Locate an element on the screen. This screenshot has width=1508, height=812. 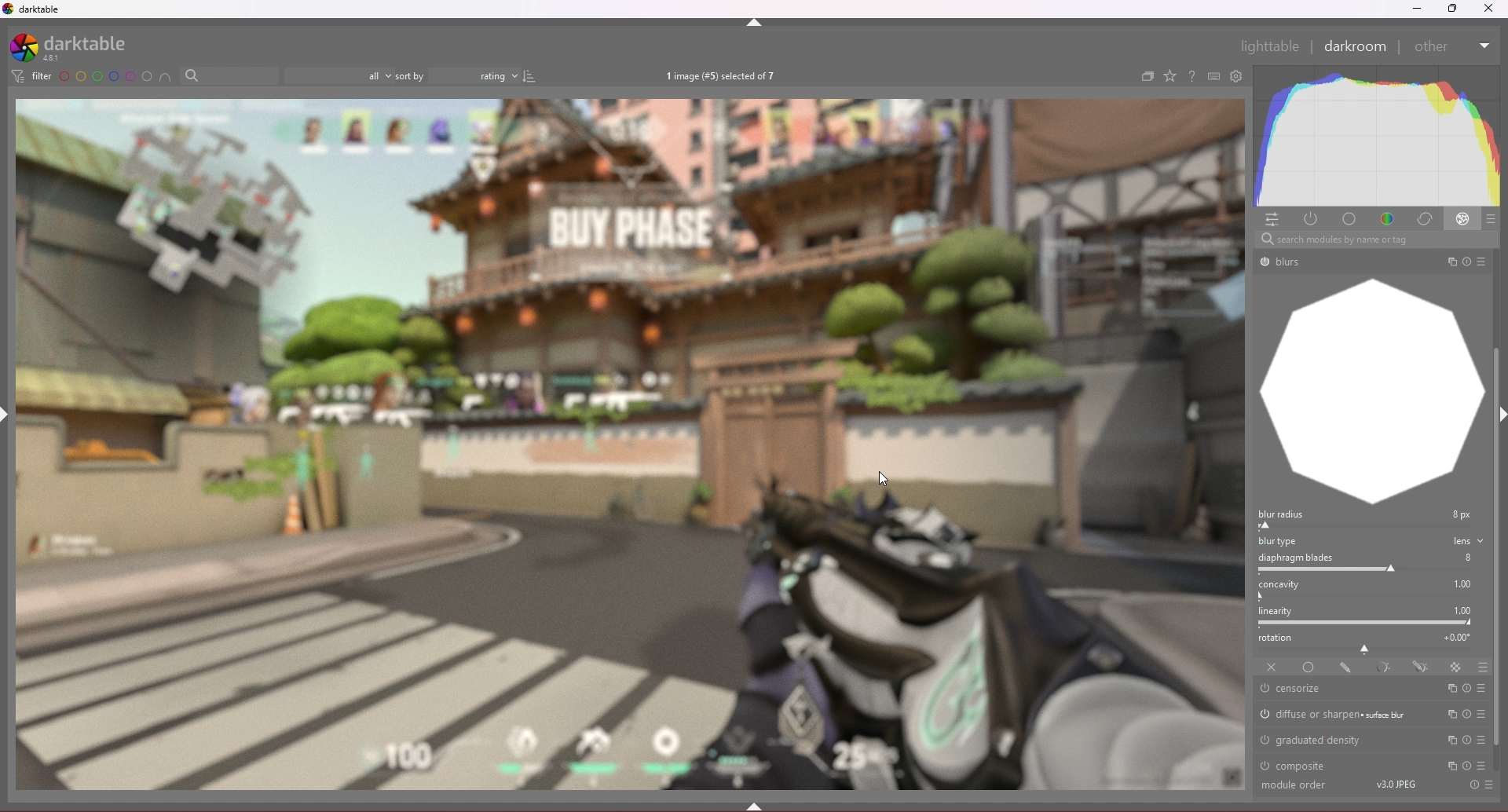
presets is located at coordinates (1482, 689).